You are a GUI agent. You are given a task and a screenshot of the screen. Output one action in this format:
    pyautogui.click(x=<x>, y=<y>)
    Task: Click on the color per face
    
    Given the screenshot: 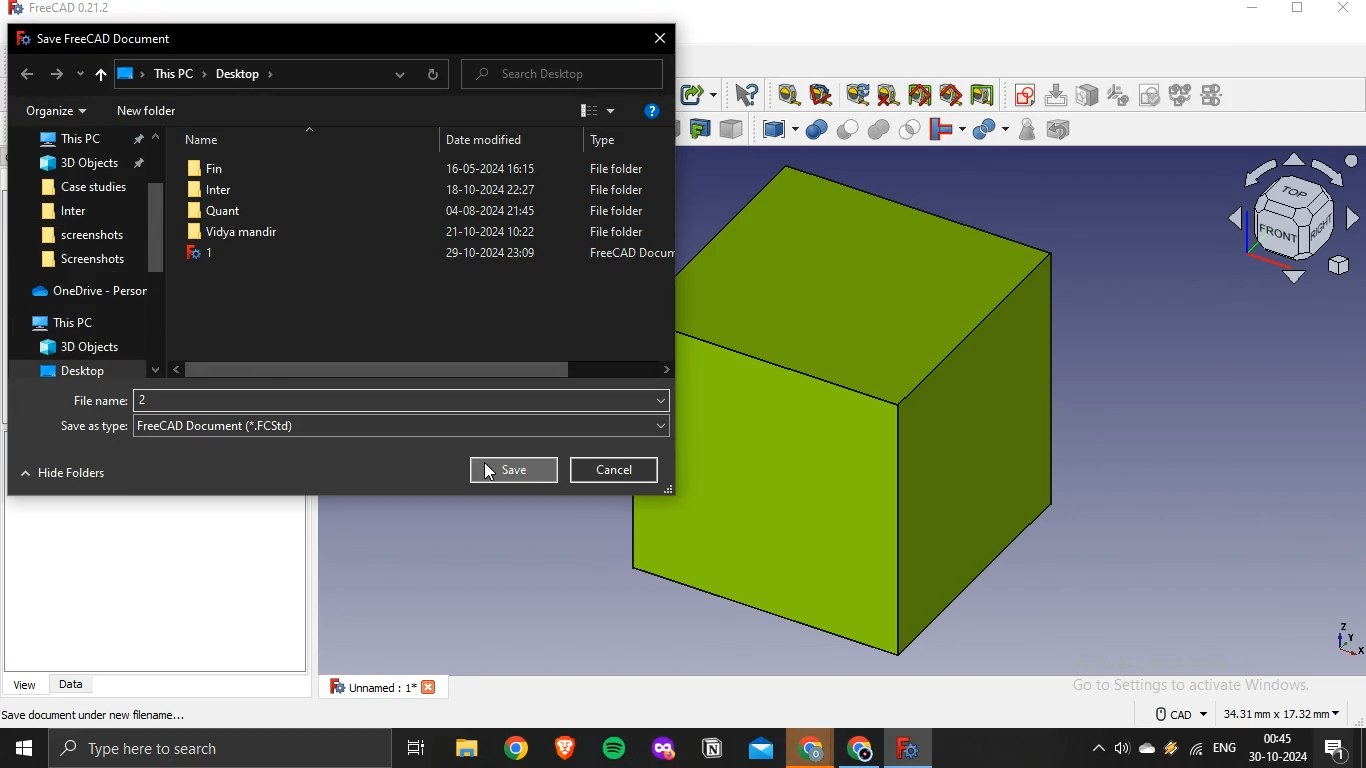 What is the action you would take?
    pyautogui.click(x=731, y=129)
    